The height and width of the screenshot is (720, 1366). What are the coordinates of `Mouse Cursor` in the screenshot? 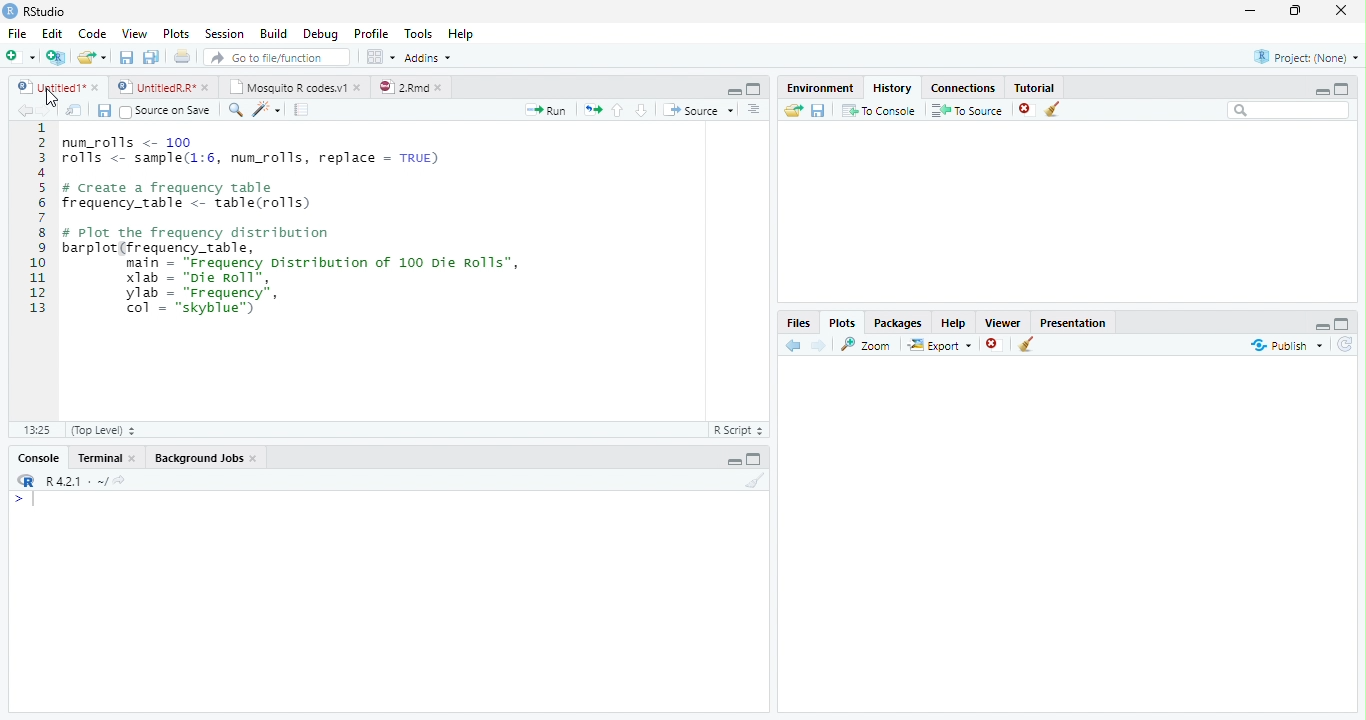 It's located at (56, 100).